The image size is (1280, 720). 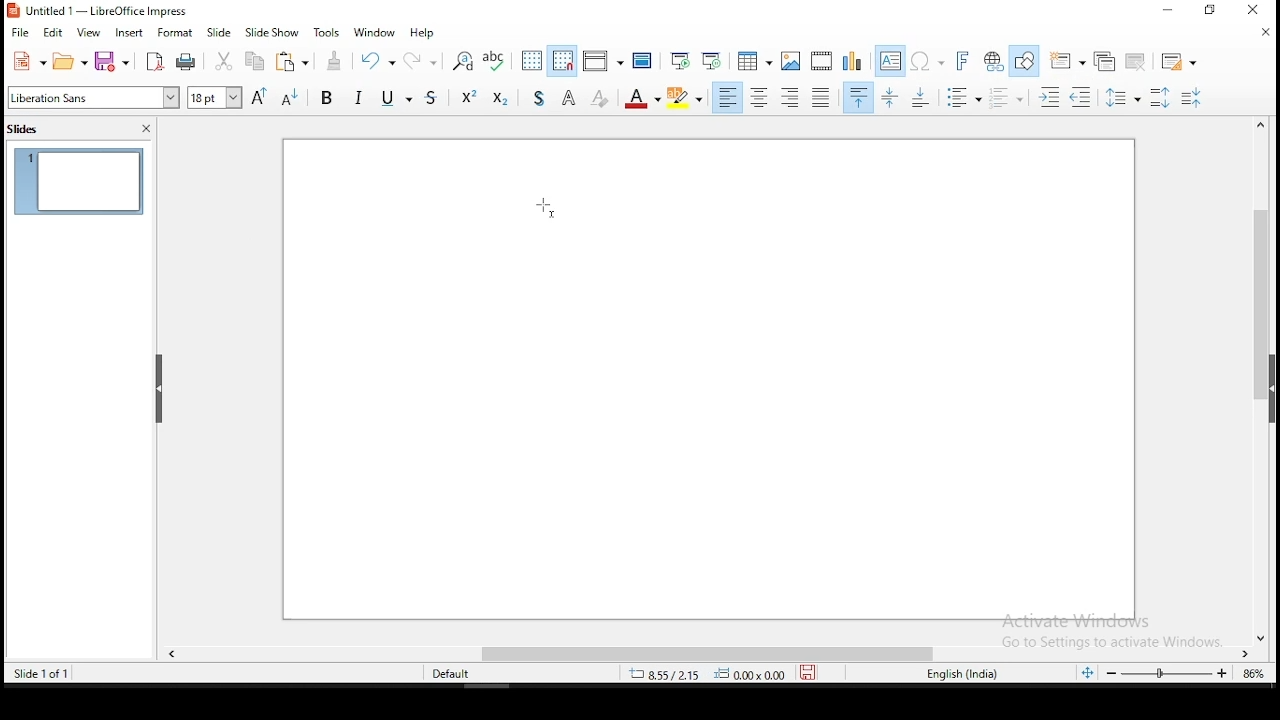 I want to click on copy, so click(x=256, y=62).